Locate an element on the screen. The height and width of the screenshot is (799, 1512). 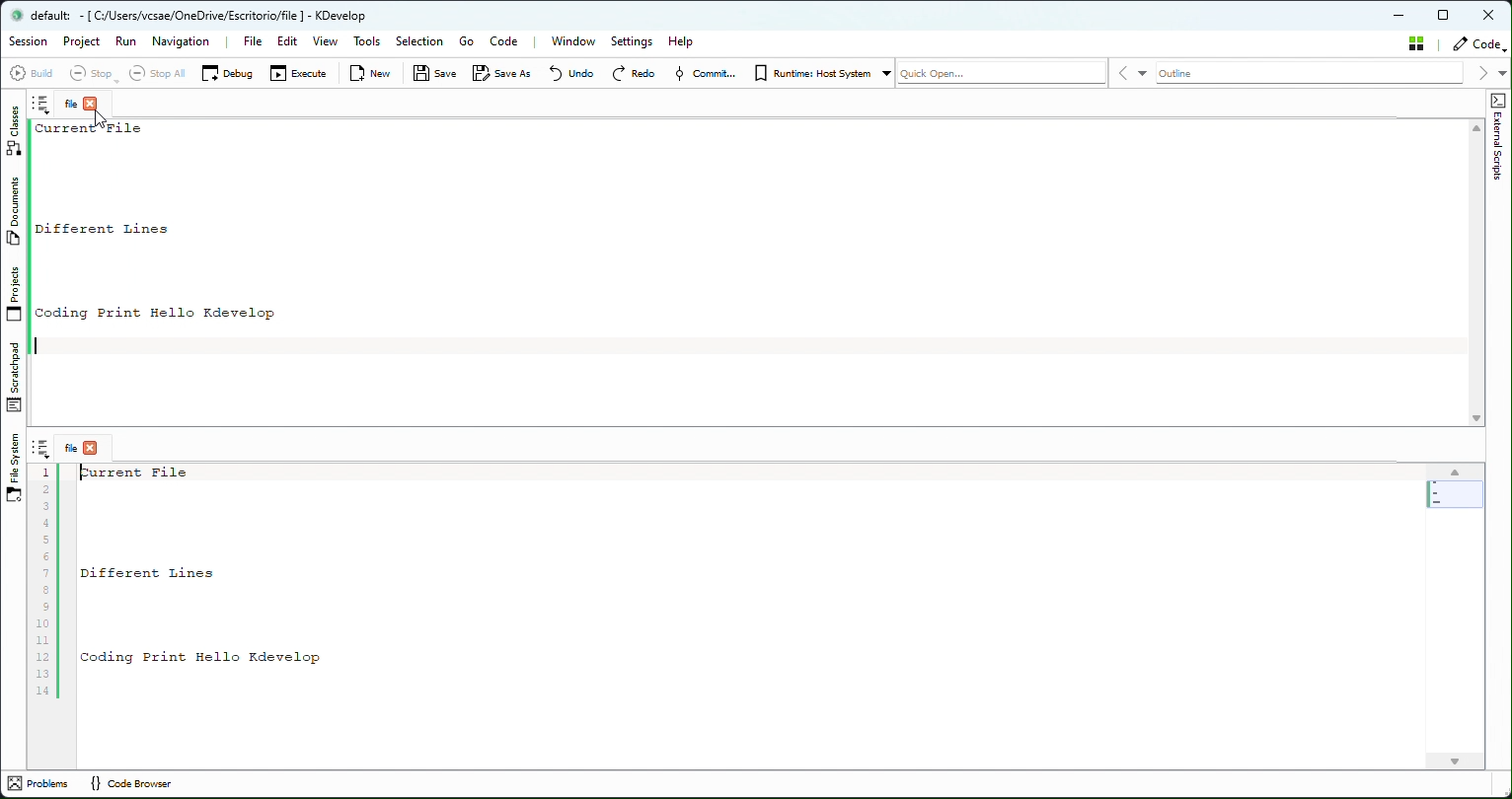
Execute is located at coordinates (300, 73).